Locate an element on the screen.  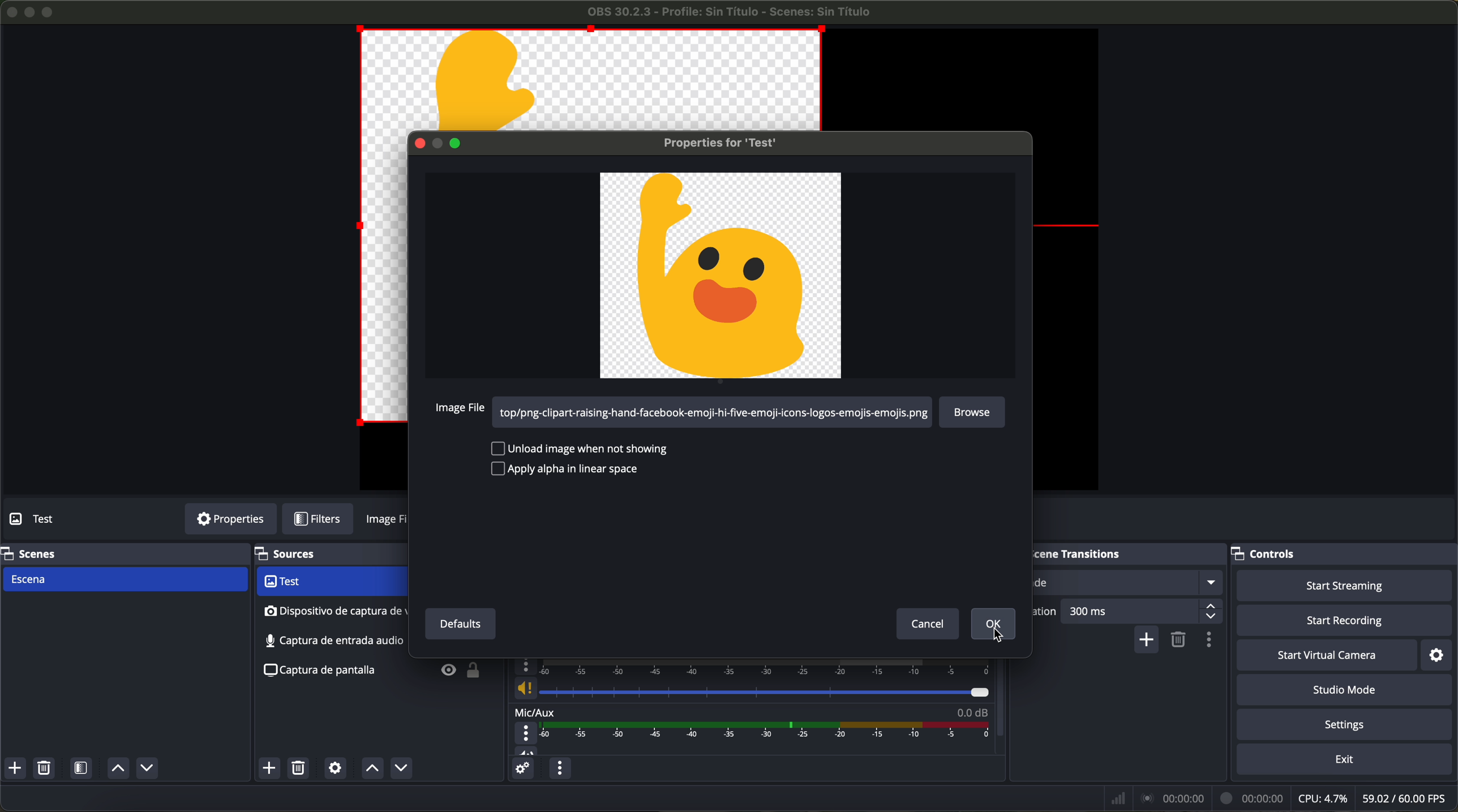
scroll down is located at coordinates (1001, 688).